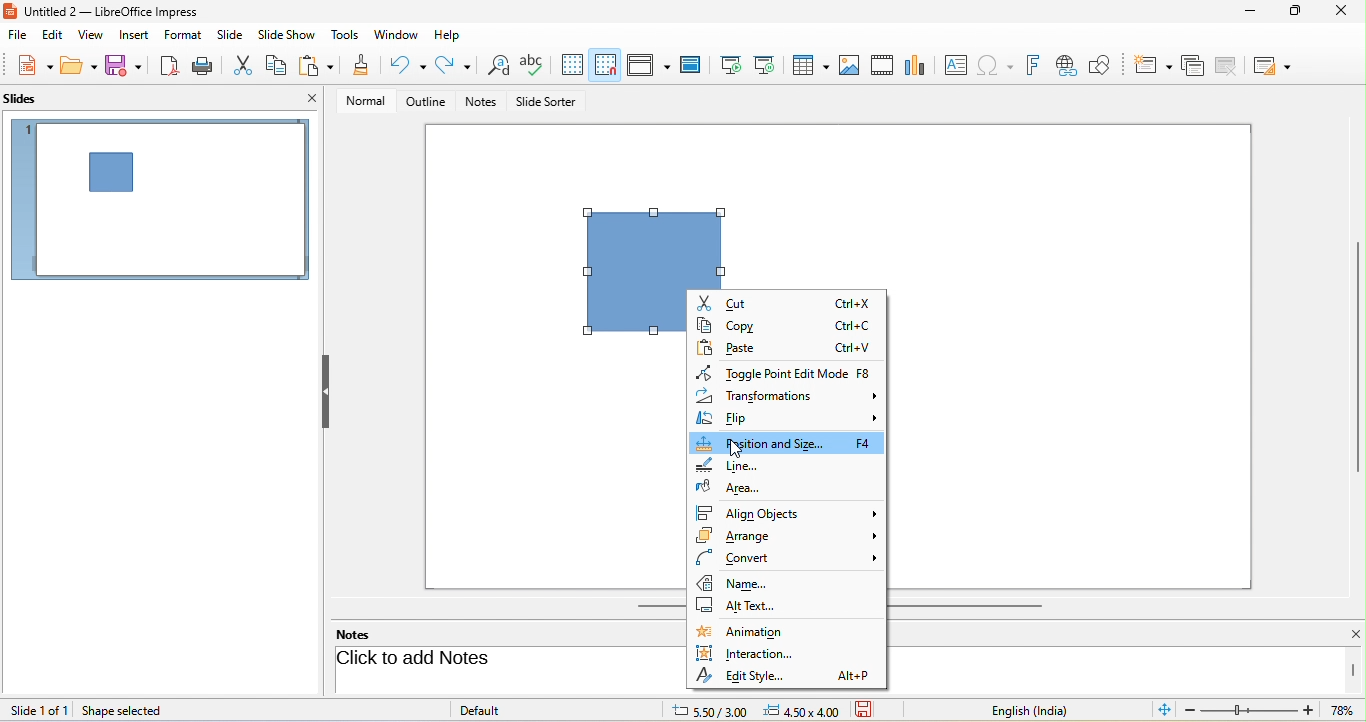 Image resolution: width=1366 pixels, height=722 pixels. I want to click on redo, so click(453, 66).